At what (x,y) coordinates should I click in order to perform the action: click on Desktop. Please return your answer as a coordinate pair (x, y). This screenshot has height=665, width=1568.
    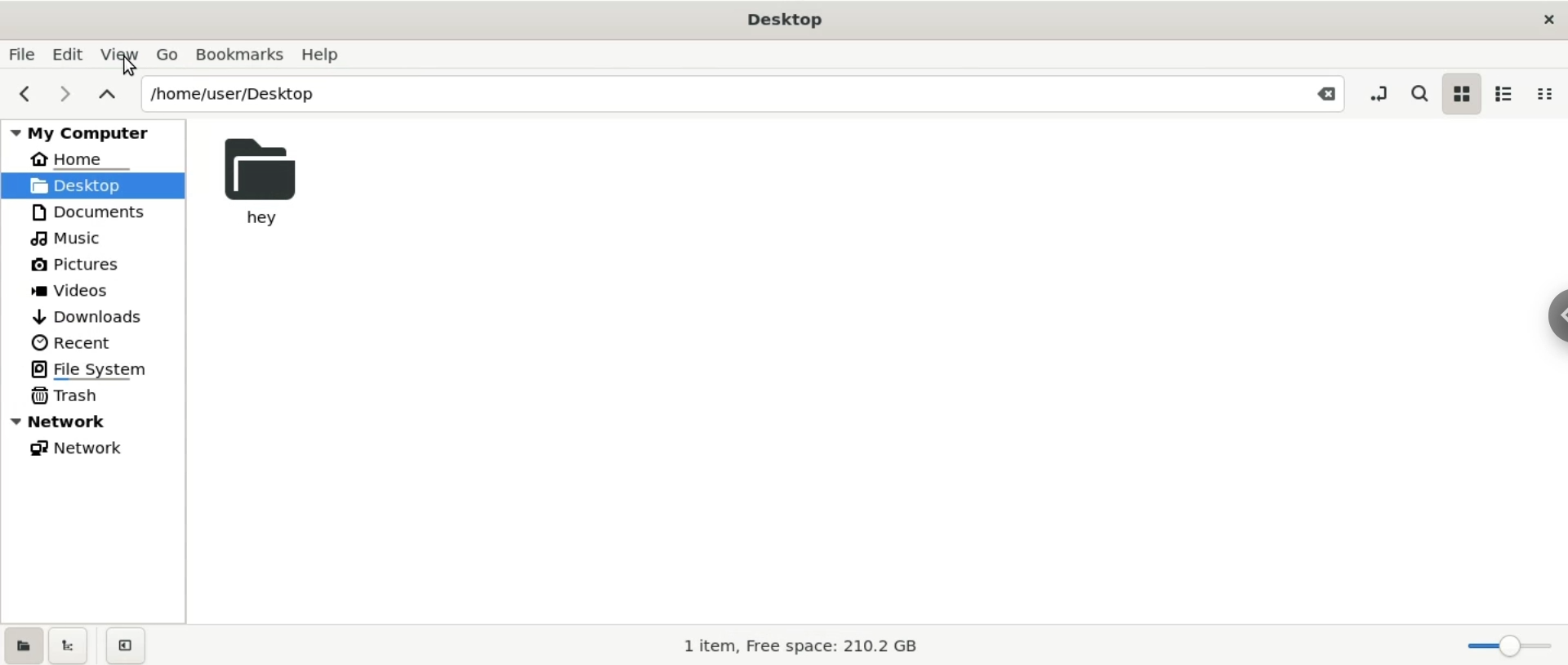
    Looking at the image, I should click on (787, 19).